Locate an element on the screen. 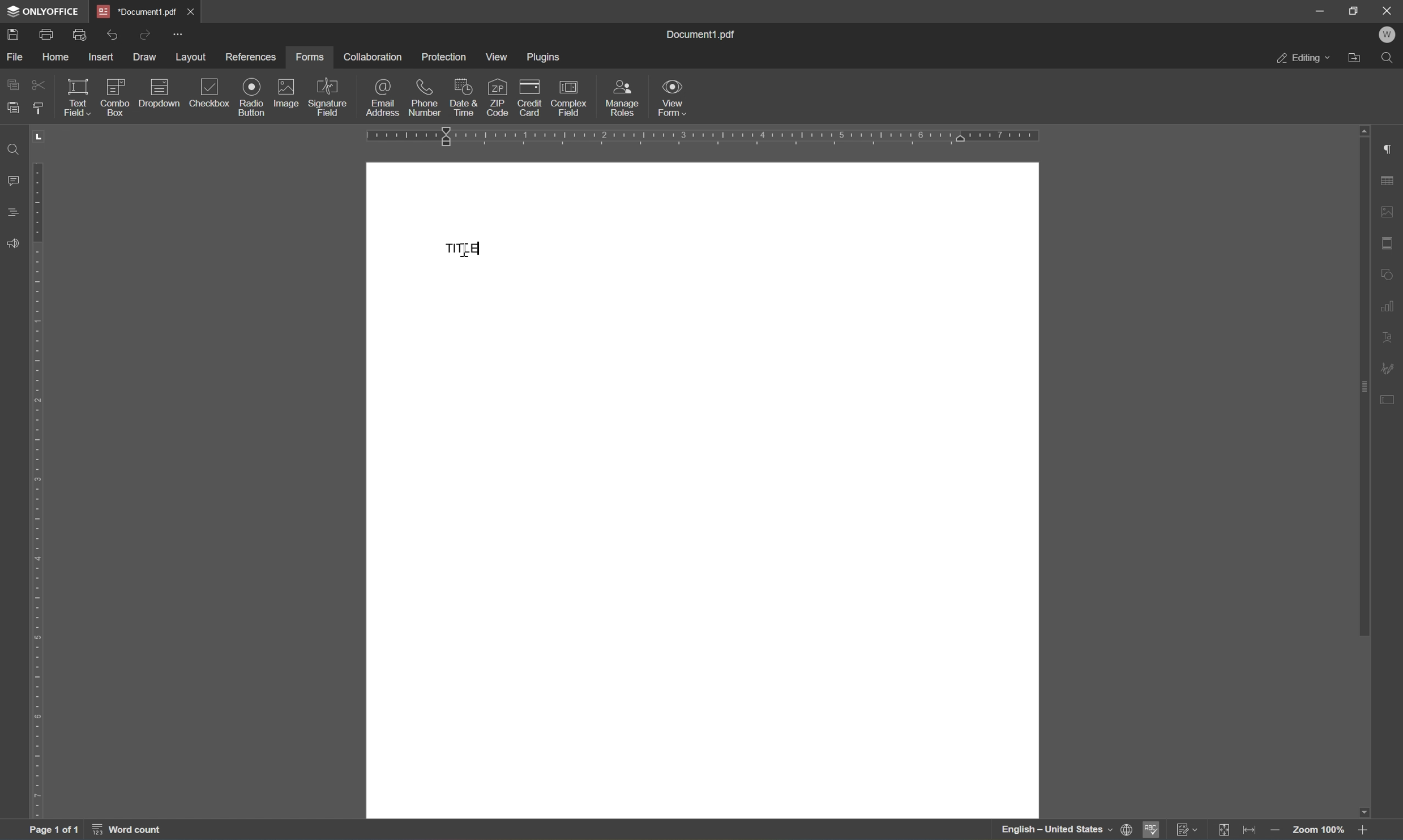 This screenshot has height=840, width=1403. protection is located at coordinates (444, 57).